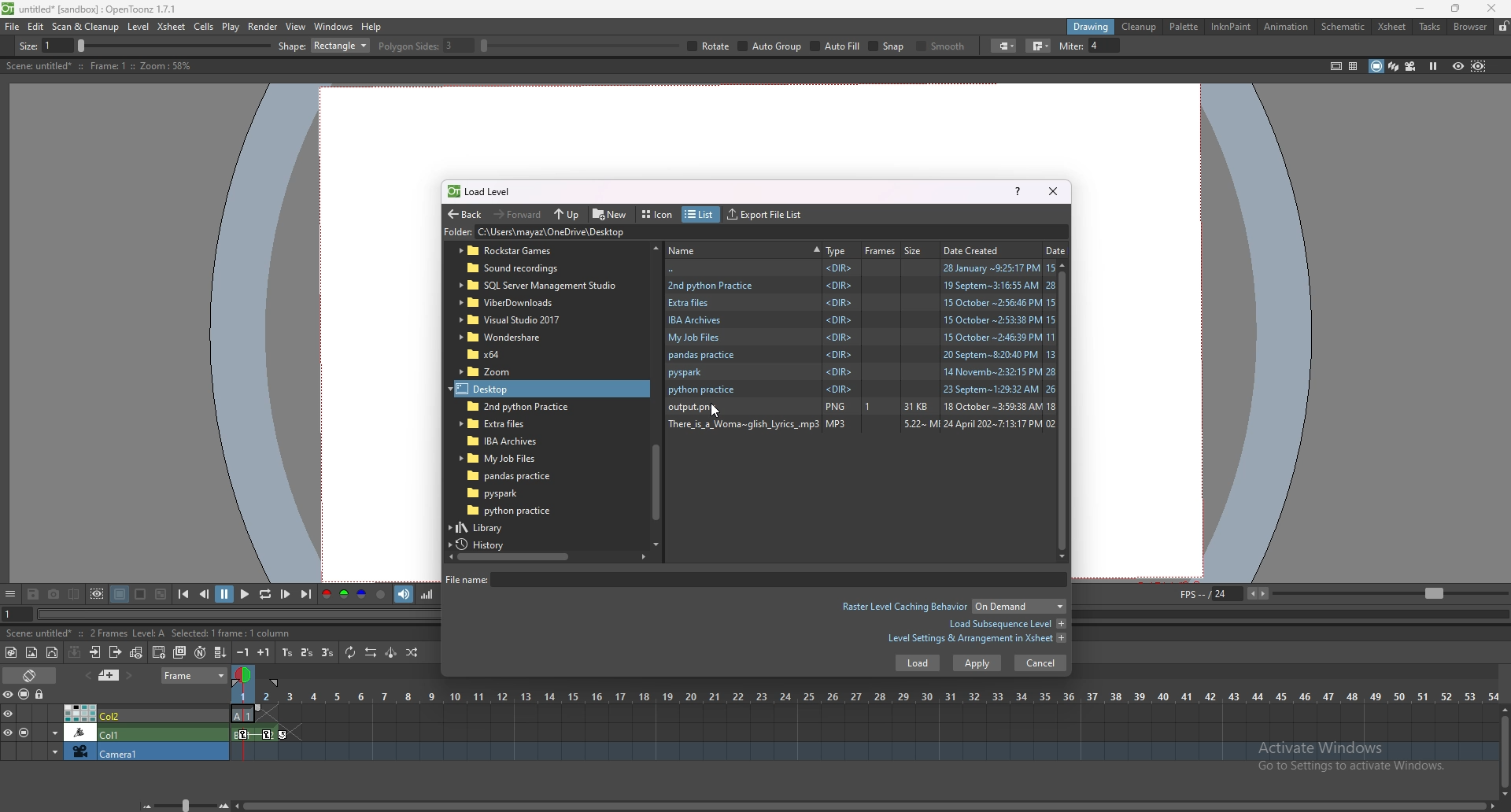 The width and height of the screenshot is (1511, 812). I want to click on frame, so click(195, 674).